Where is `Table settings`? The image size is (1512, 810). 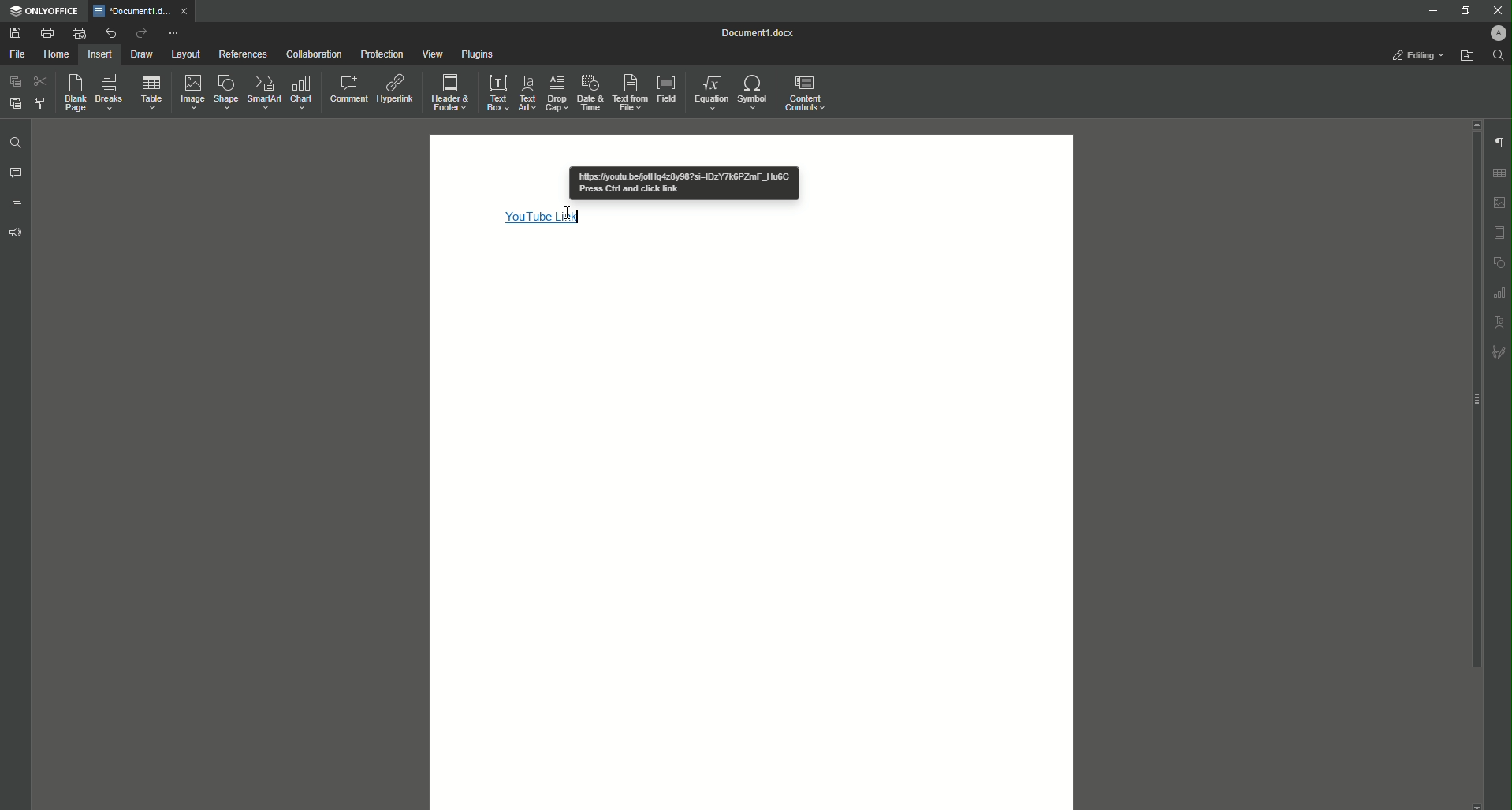
Table settings is located at coordinates (1499, 173).